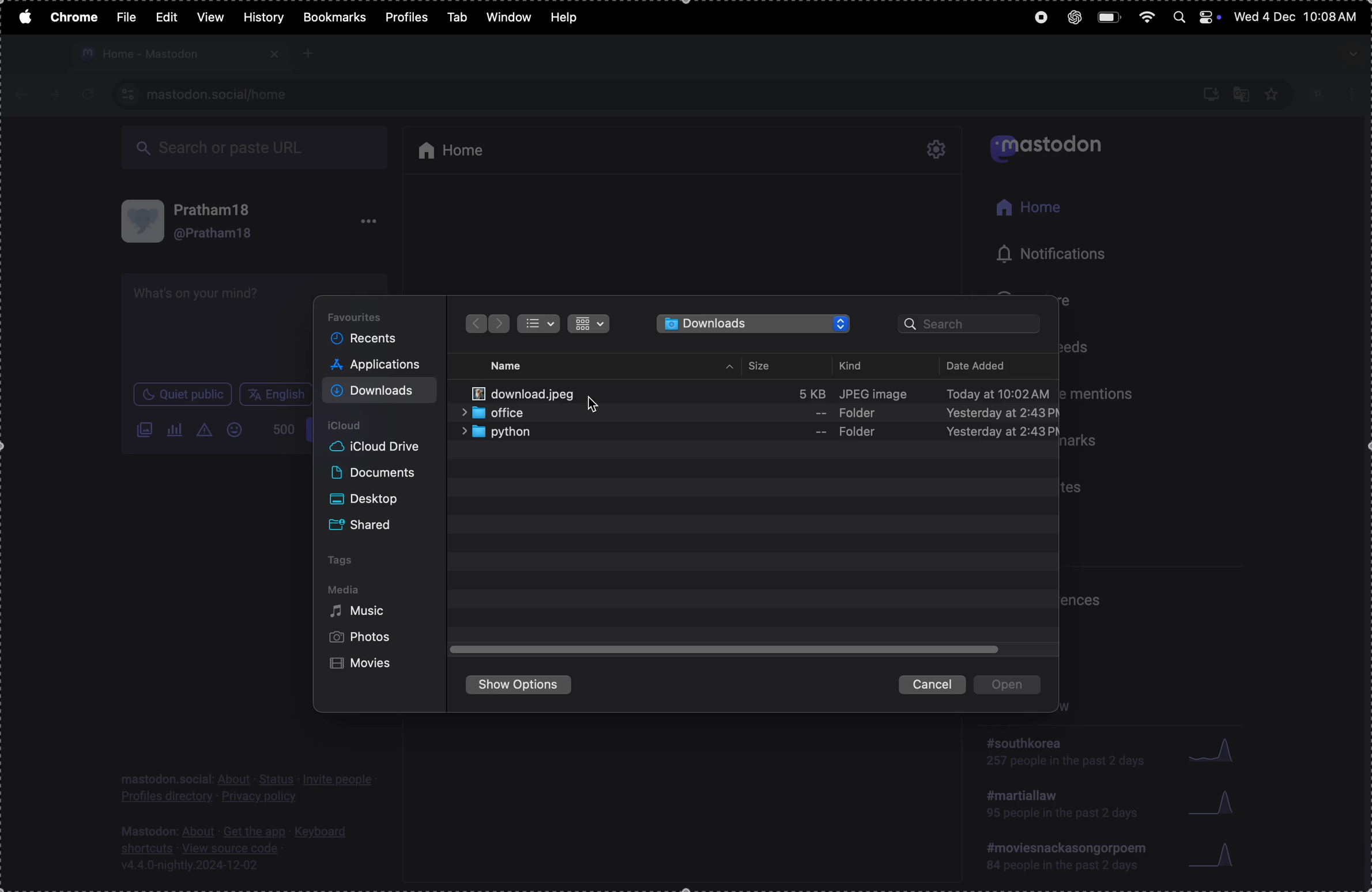  Describe the element at coordinates (362, 638) in the screenshot. I see `photos` at that location.